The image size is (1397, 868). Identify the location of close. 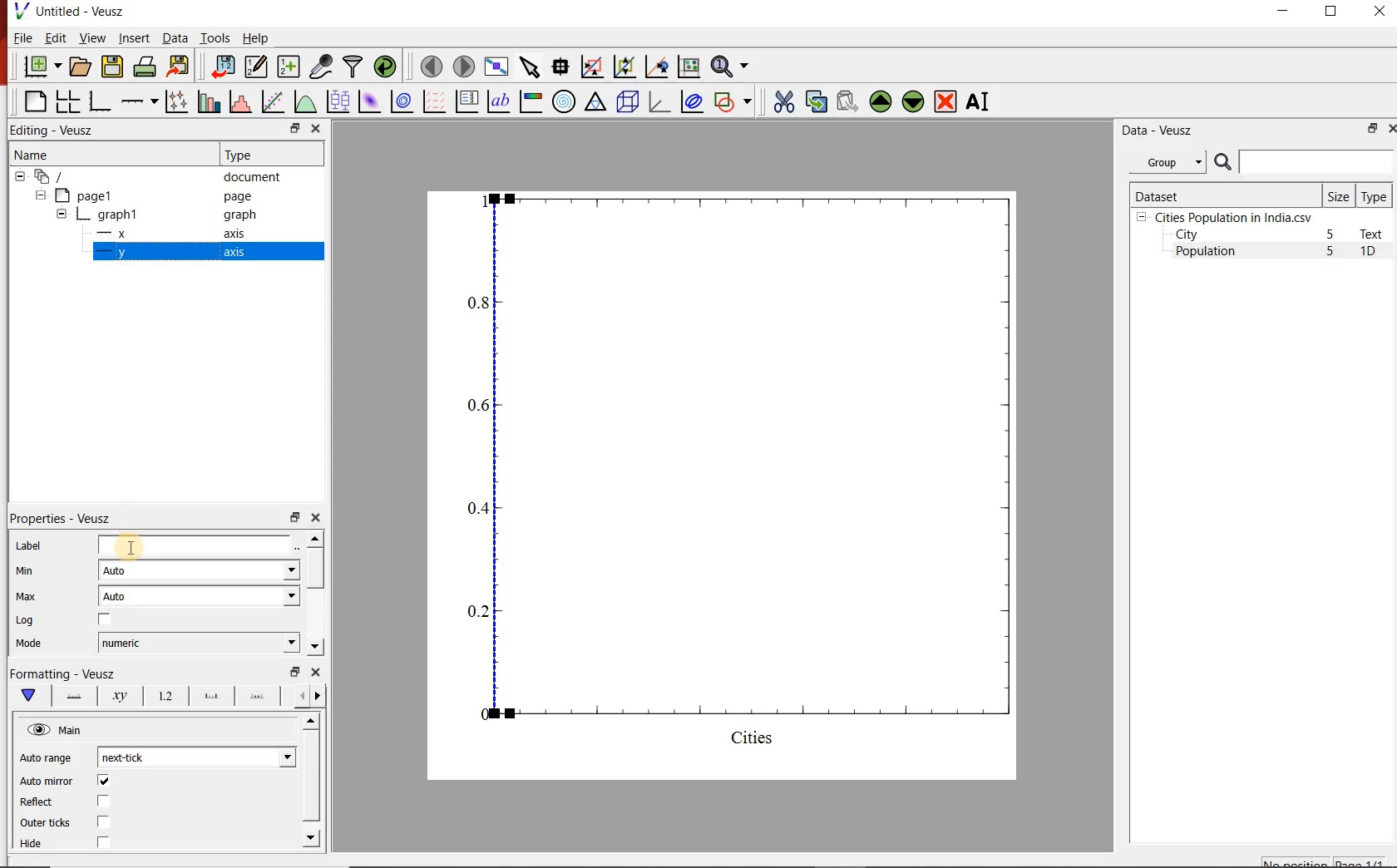
(313, 672).